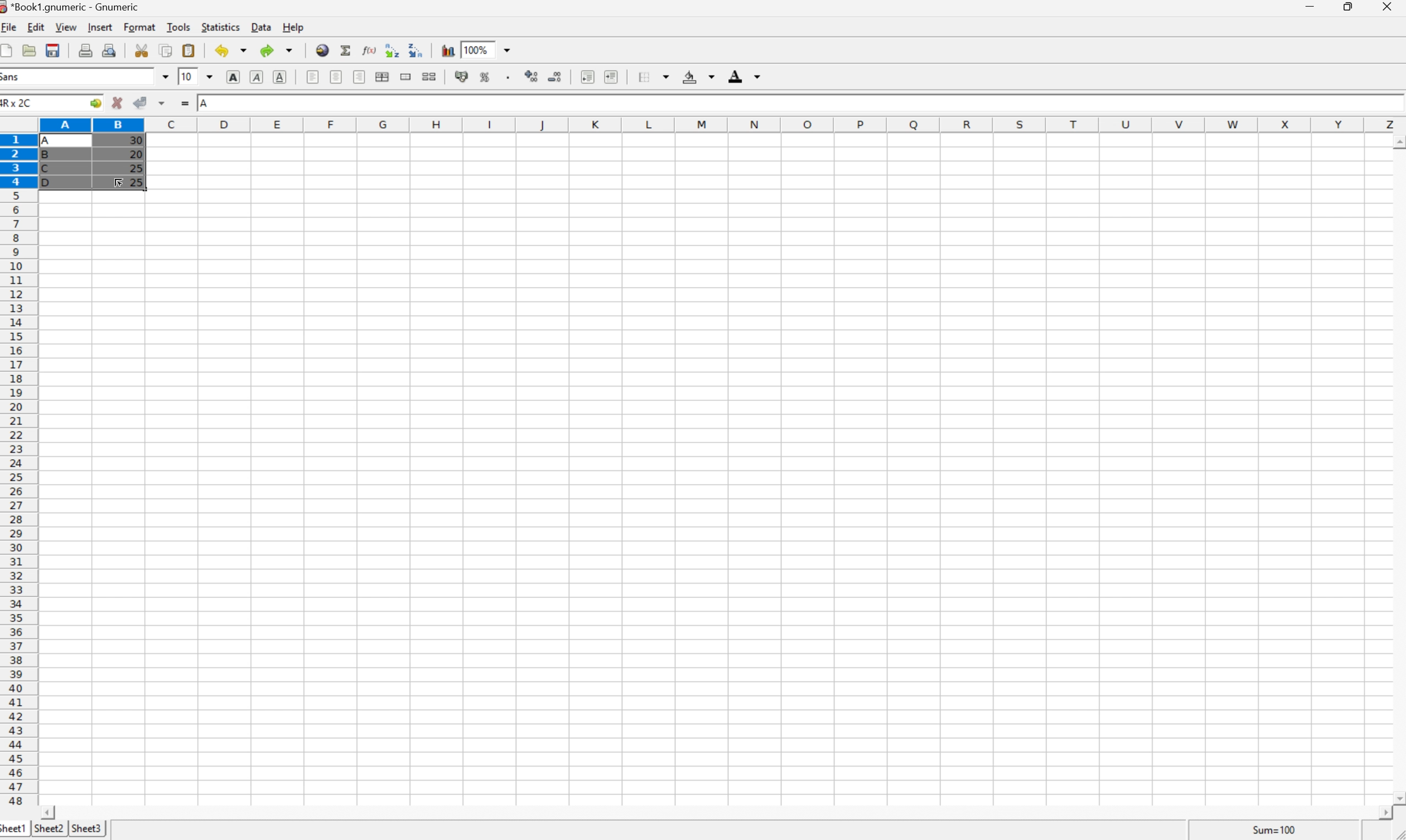  What do you see at coordinates (391, 49) in the screenshot?
I see `Sort the selected region in descending order based on the first column selected` at bounding box center [391, 49].